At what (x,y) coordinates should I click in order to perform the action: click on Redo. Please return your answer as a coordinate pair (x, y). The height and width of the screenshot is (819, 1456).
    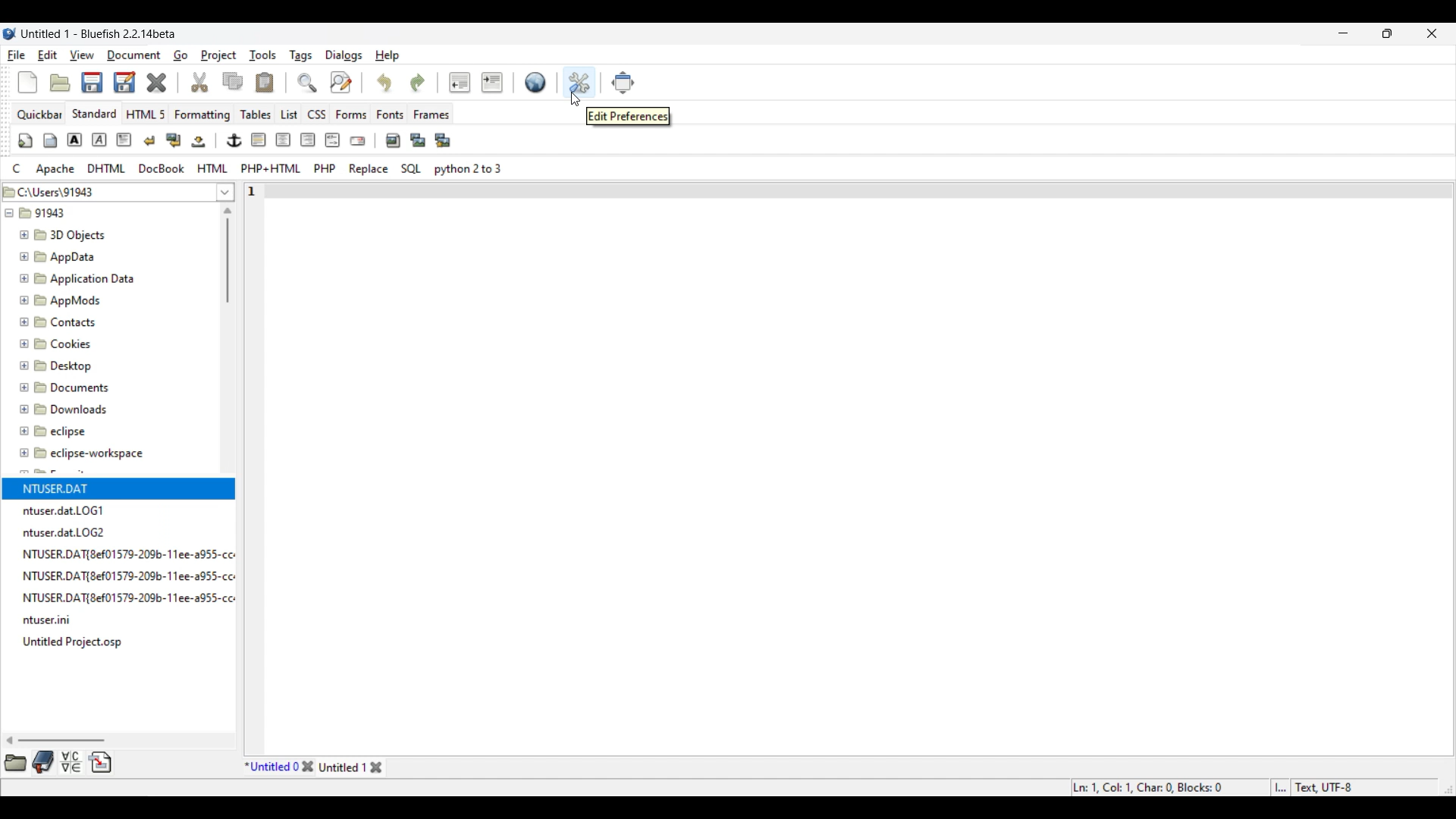
    Looking at the image, I should click on (418, 83).